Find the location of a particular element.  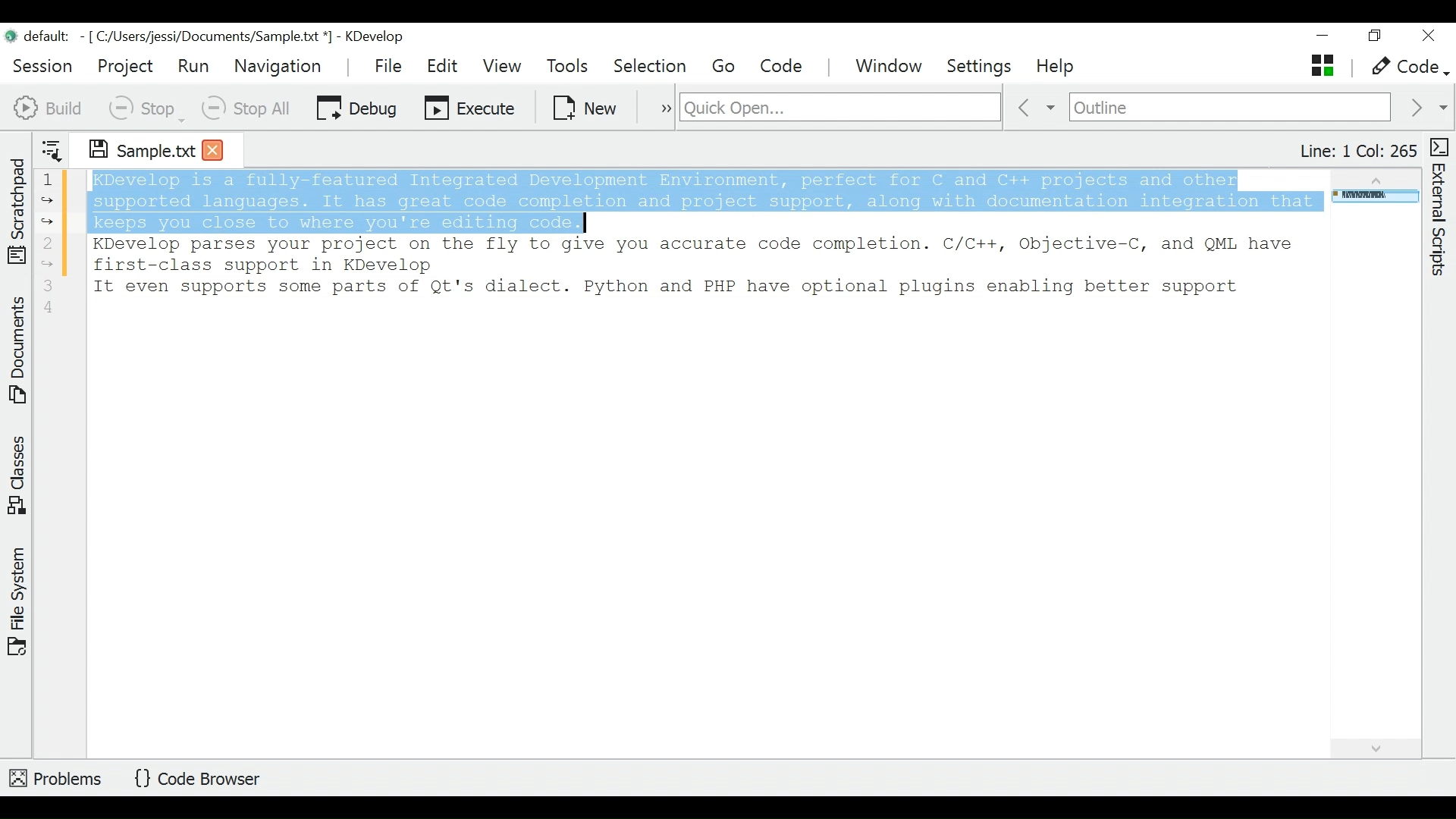

more options is located at coordinates (658, 106).